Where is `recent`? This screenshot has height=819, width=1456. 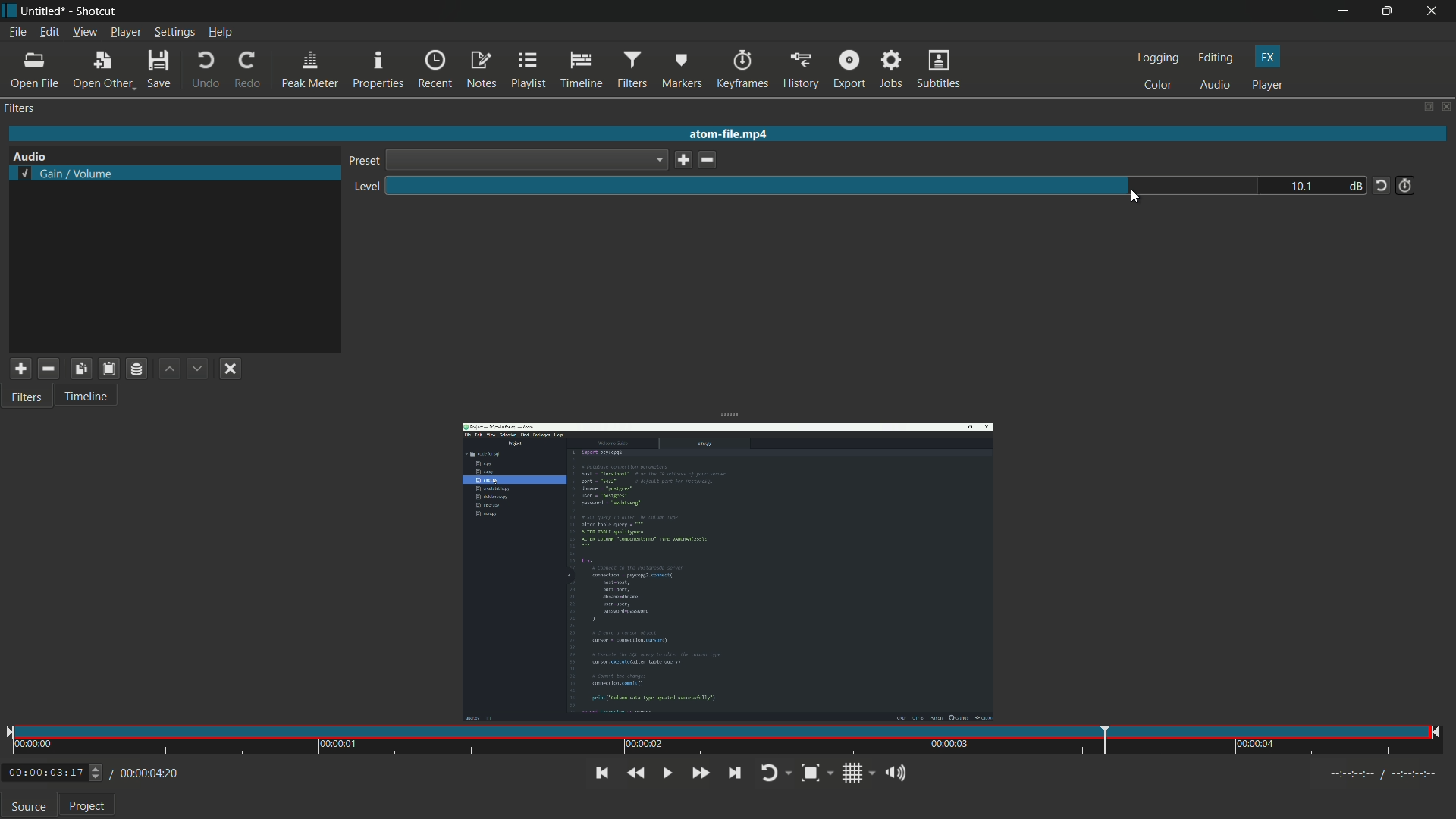
recent is located at coordinates (435, 71).